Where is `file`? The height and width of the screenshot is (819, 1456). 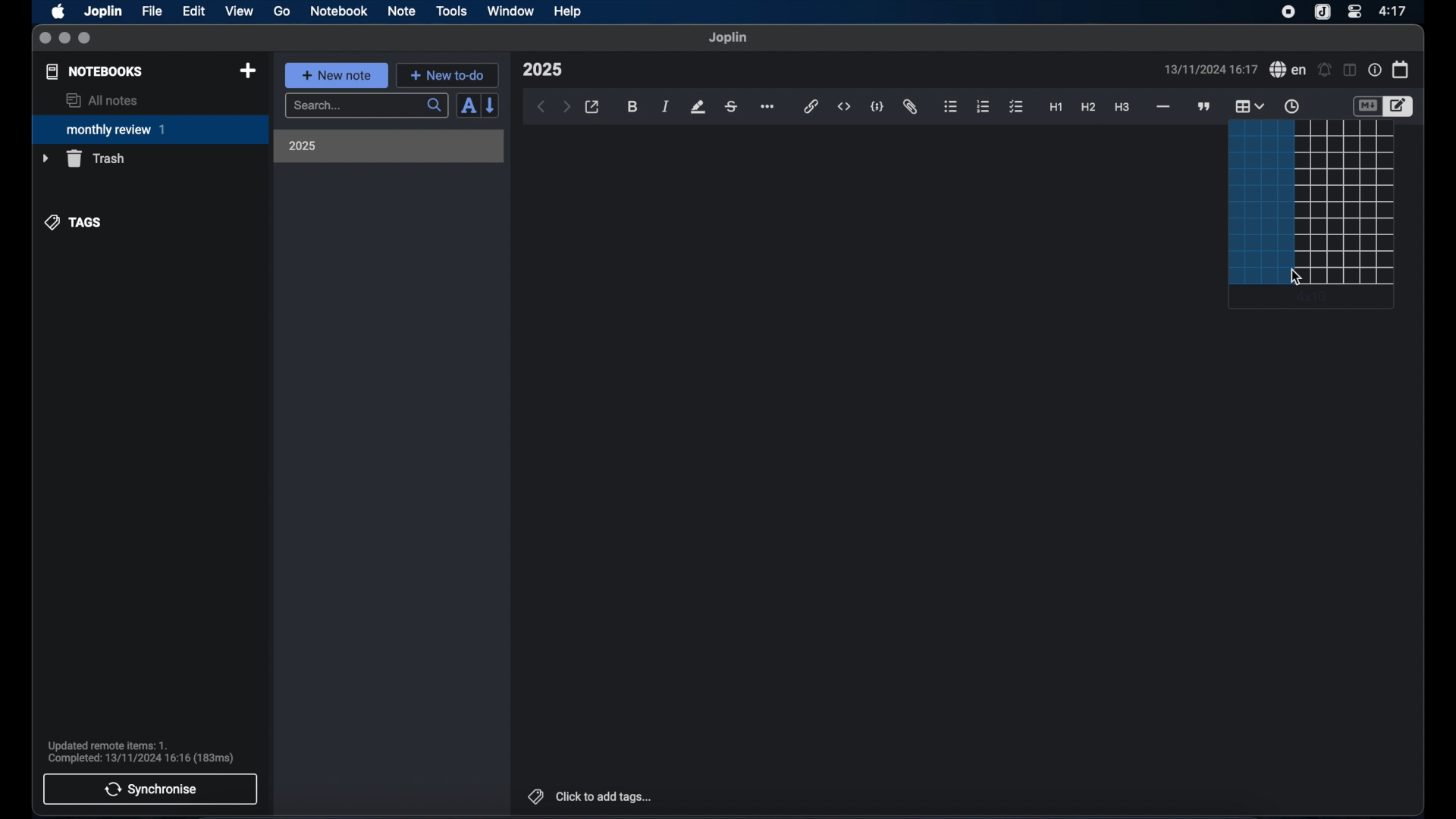
file is located at coordinates (152, 11).